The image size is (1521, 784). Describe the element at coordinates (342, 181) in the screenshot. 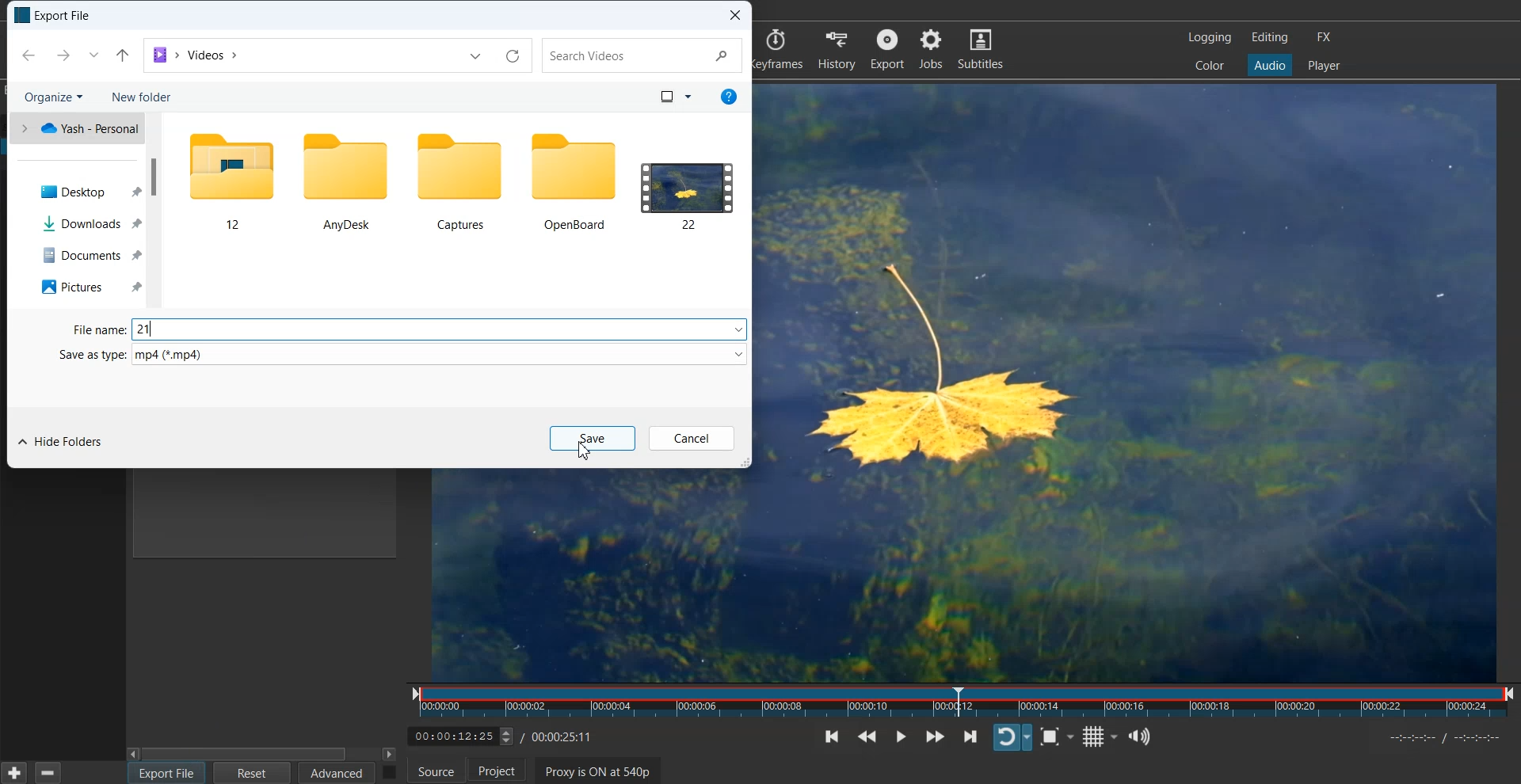

I see `Files` at that location.